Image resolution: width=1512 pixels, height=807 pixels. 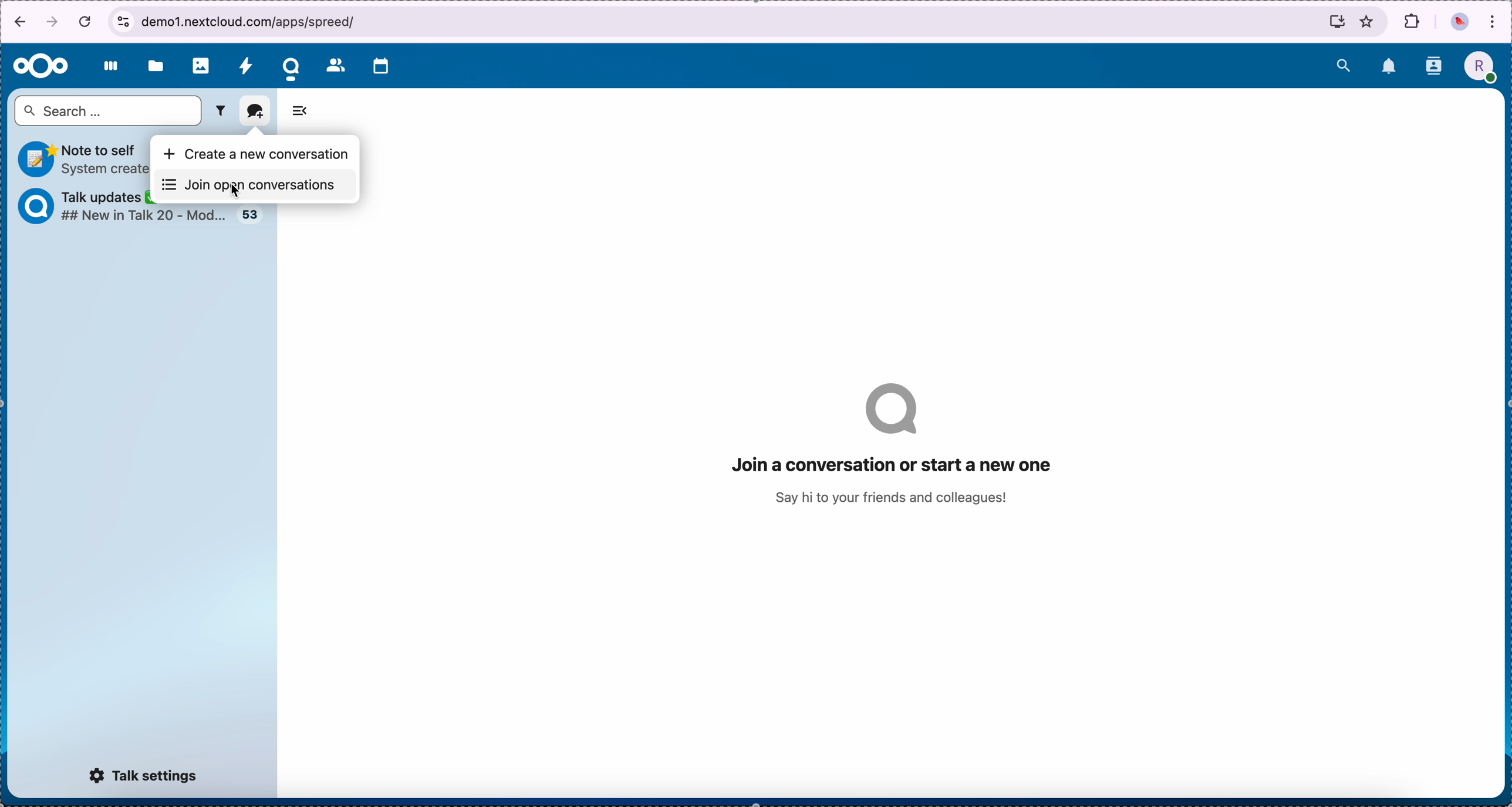 What do you see at coordinates (40, 67) in the screenshot?
I see `Nextcloud logo` at bounding box center [40, 67].